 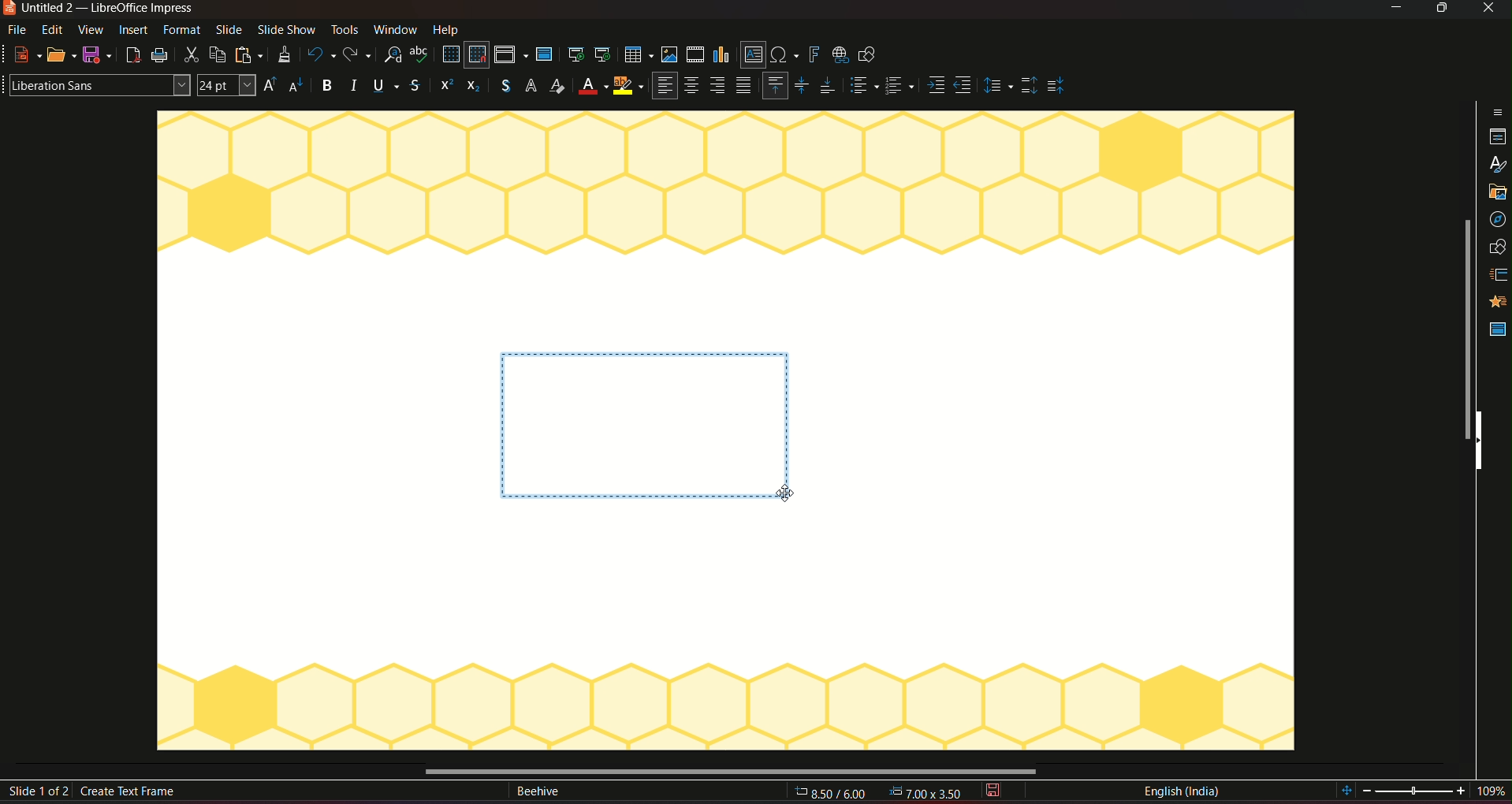 What do you see at coordinates (547, 55) in the screenshot?
I see `master slide` at bounding box center [547, 55].